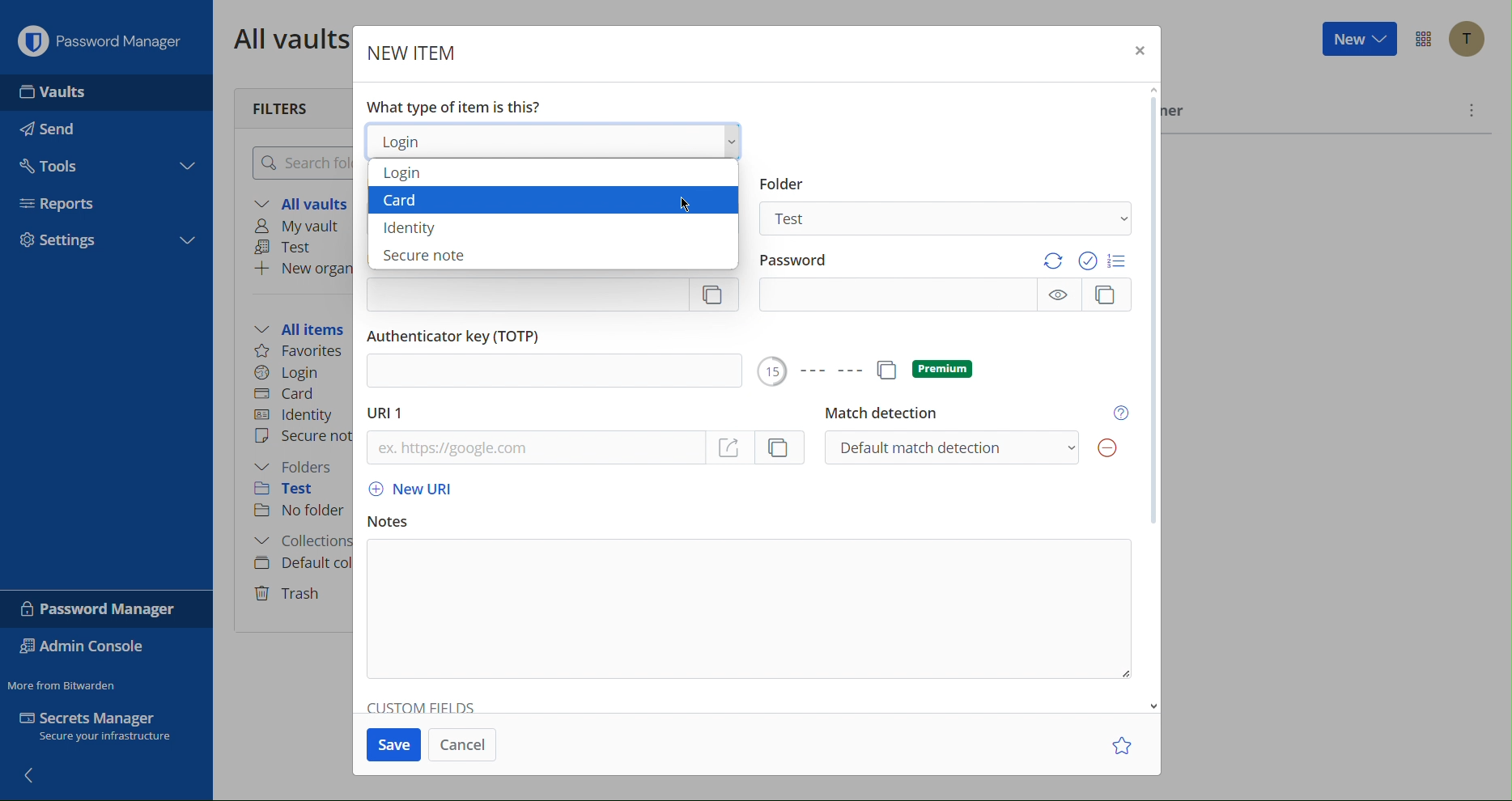  What do you see at coordinates (295, 415) in the screenshot?
I see `Identity` at bounding box center [295, 415].